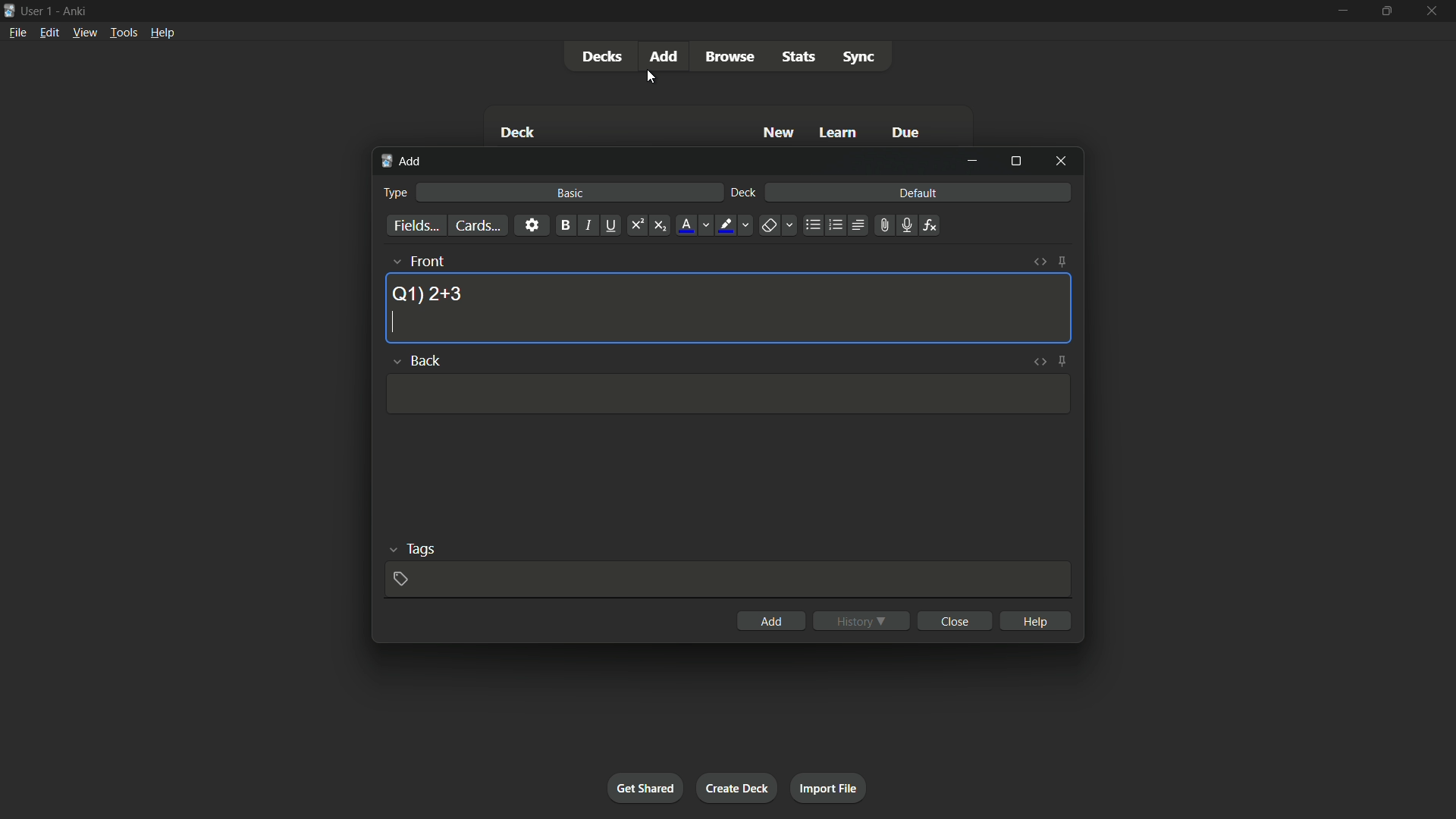  Describe the element at coordinates (660, 226) in the screenshot. I see `subscript` at that location.